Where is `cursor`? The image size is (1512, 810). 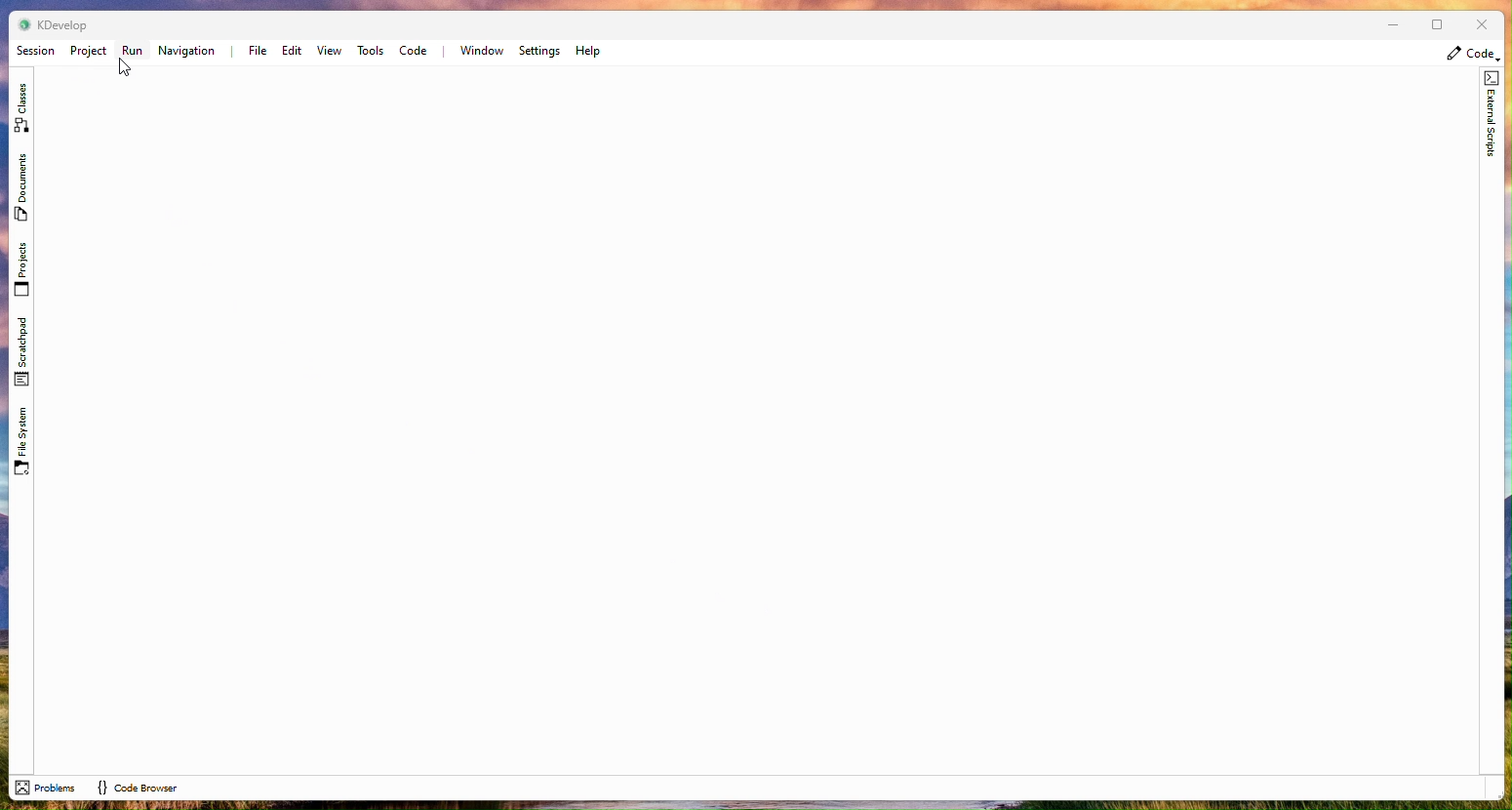 cursor is located at coordinates (126, 68).